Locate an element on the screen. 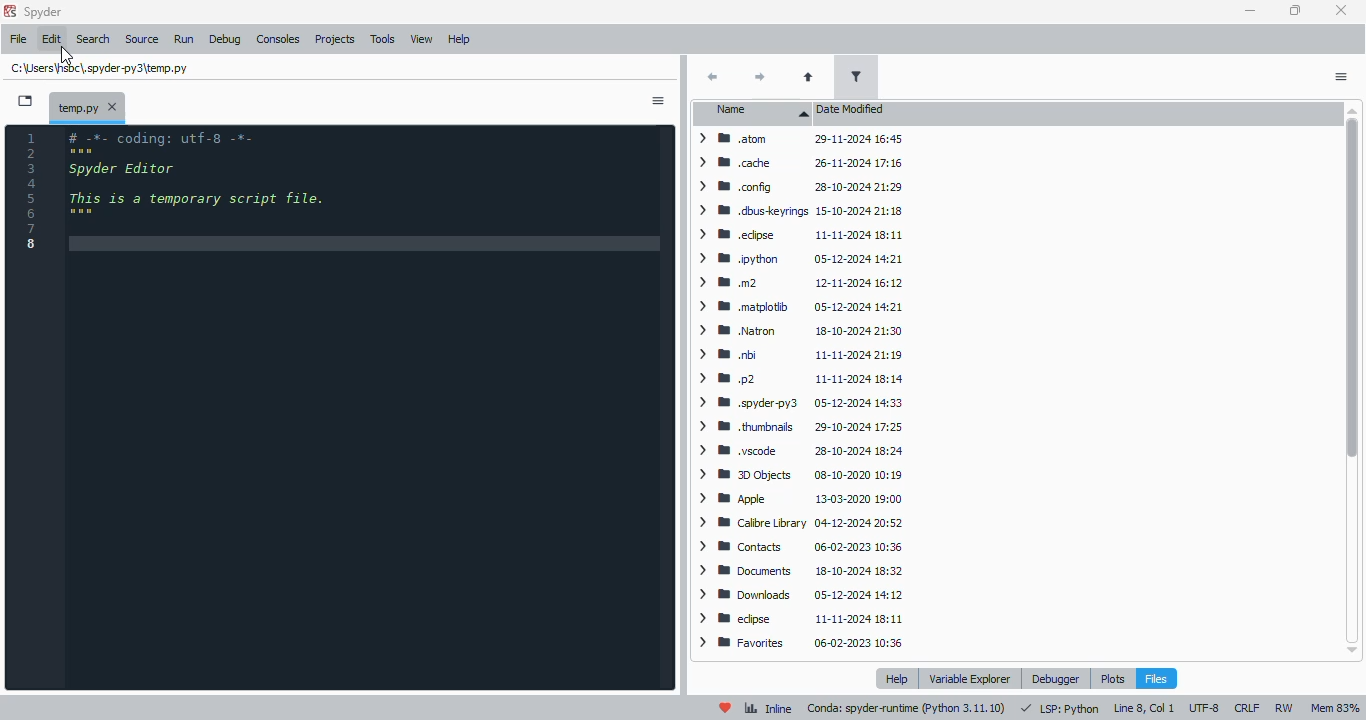 The width and height of the screenshot is (1366, 720). > WB config 28-10-2024 21:29 is located at coordinates (796, 186).